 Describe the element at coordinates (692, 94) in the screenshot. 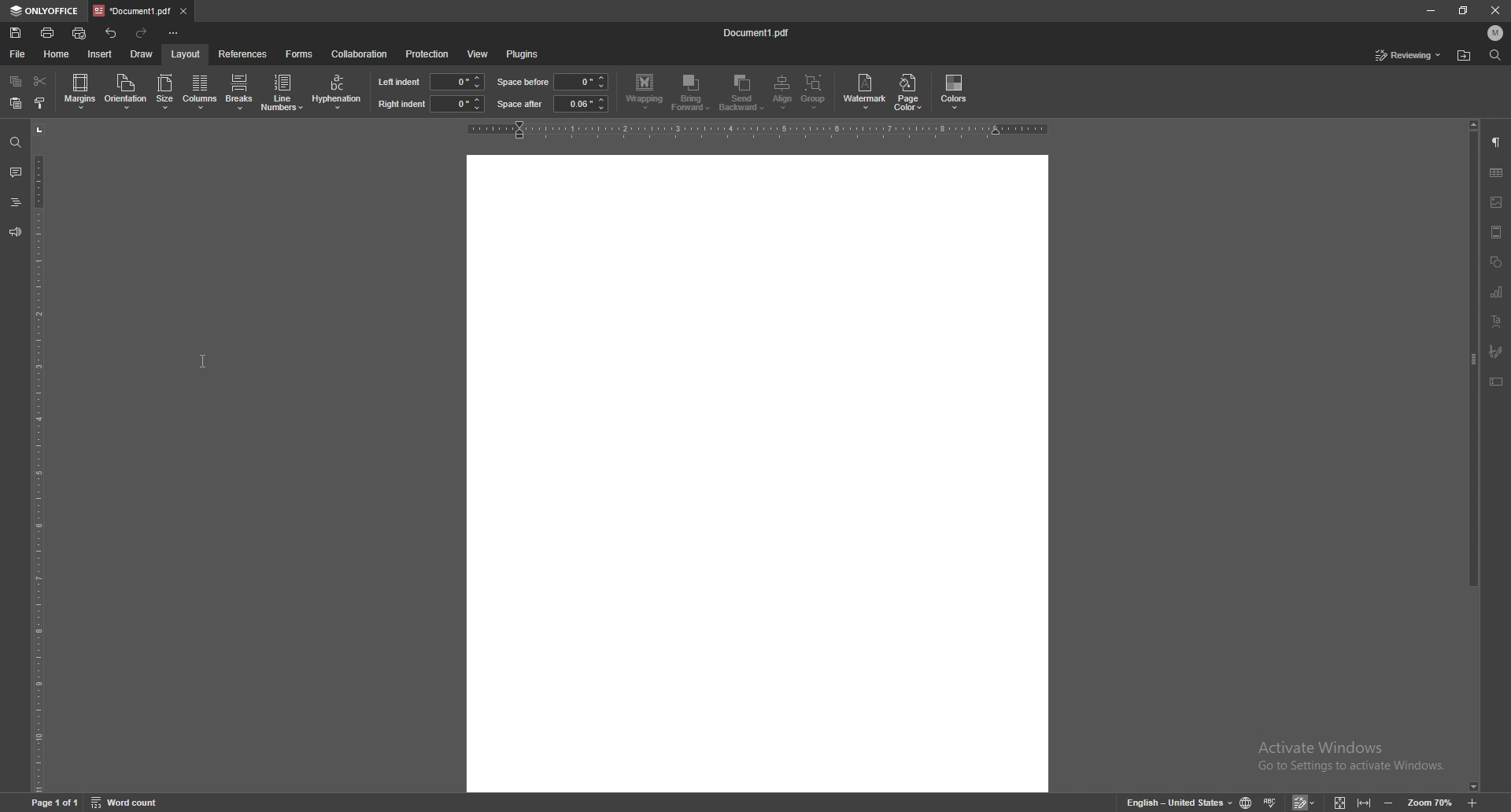

I see `bring forward` at that location.